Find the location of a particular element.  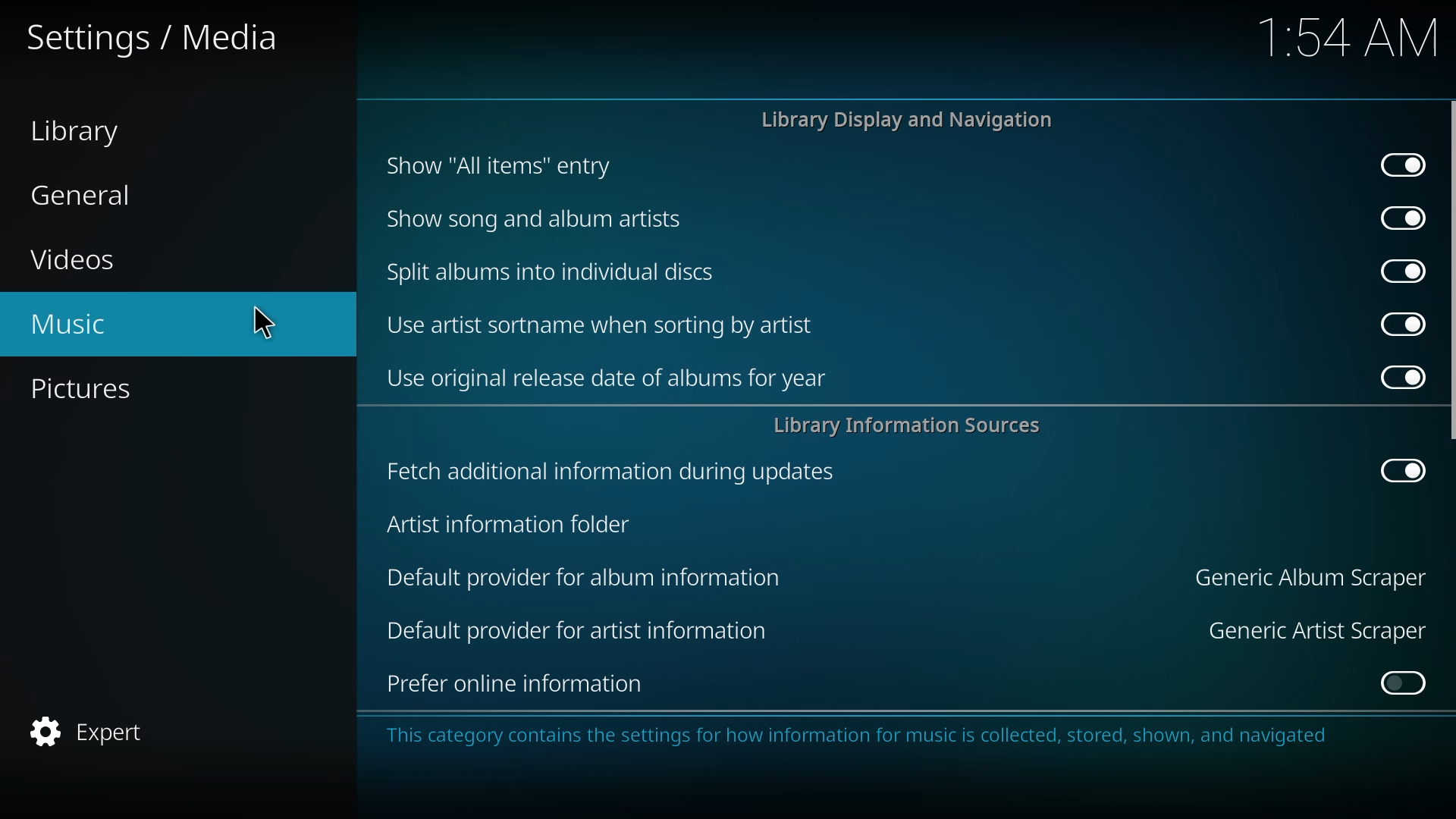

fetch additional info during updates is located at coordinates (612, 470).